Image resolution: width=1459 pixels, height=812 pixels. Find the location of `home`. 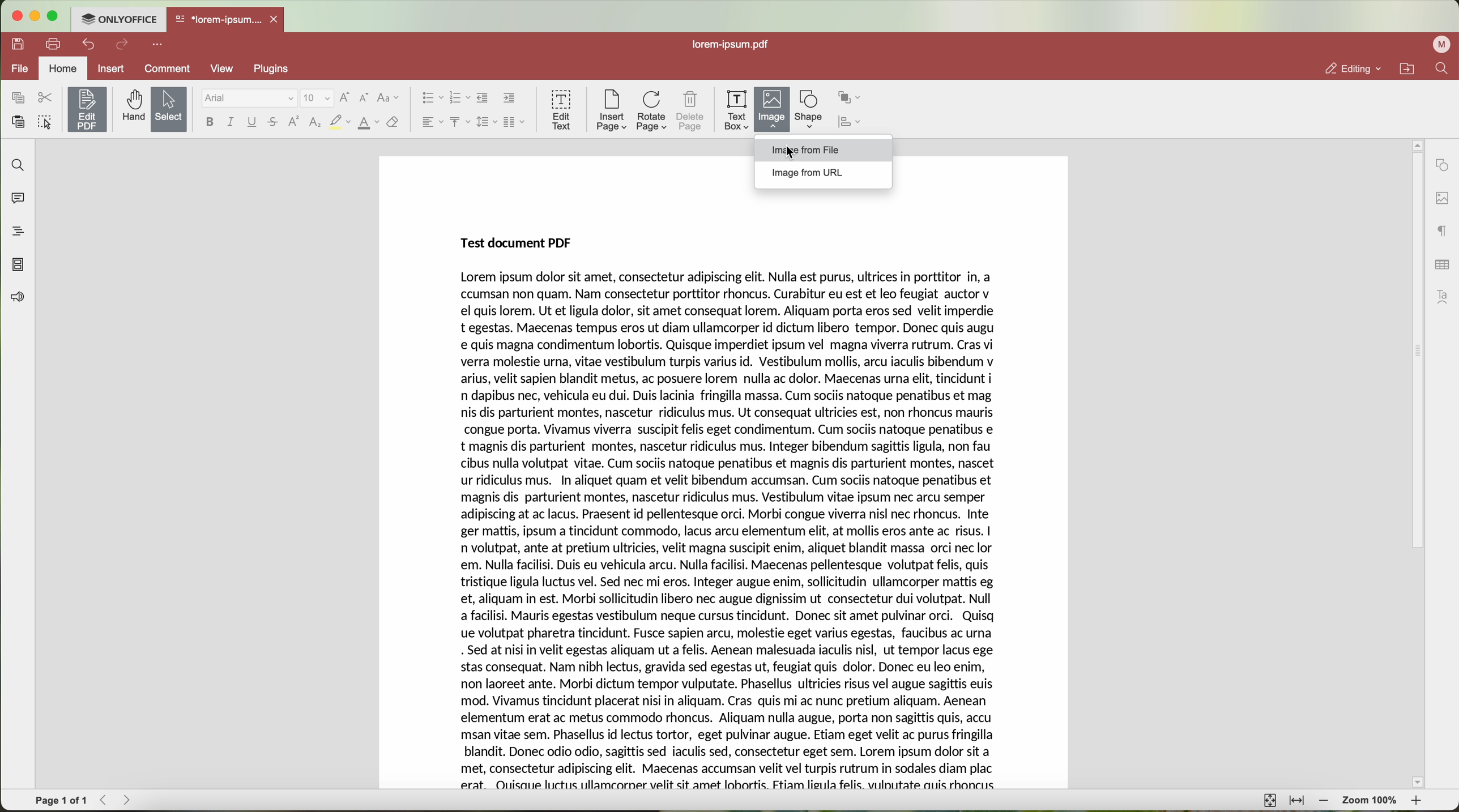

home is located at coordinates (63, 70).